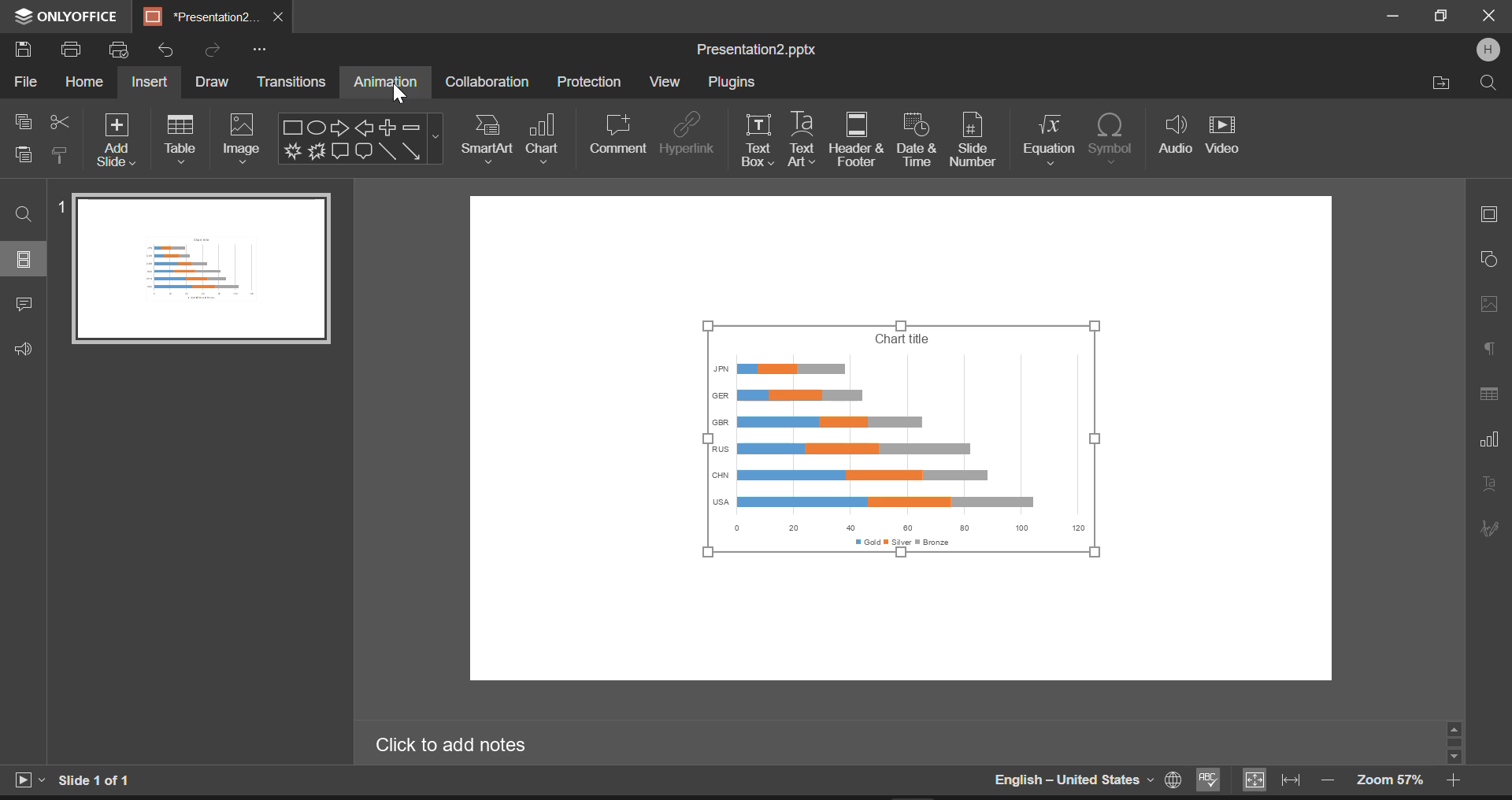  Describe the element at coordinates (98, 780) in the screenshot. I see `Slide 1 of 1` at that location.